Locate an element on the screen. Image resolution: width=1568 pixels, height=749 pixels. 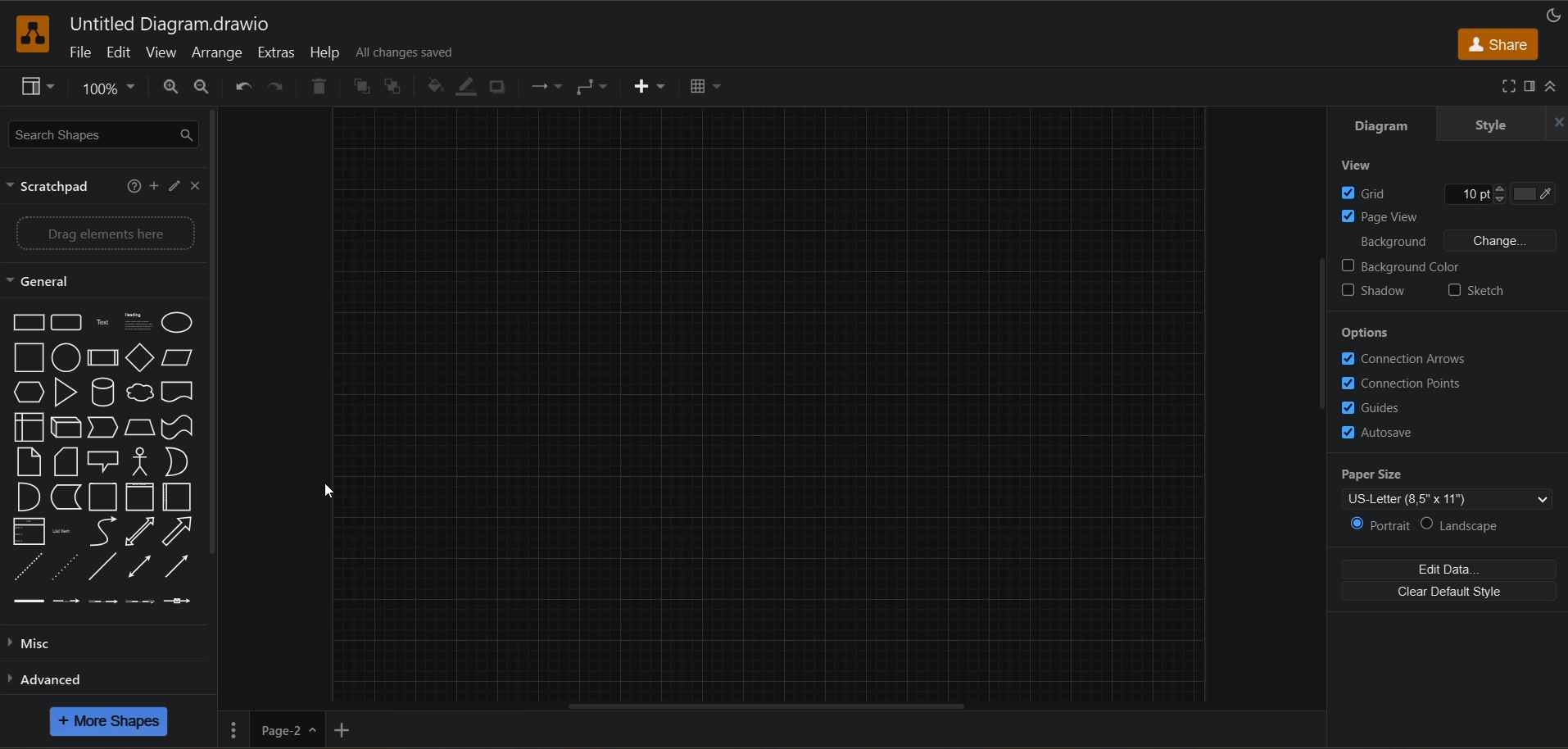
cursor is located at coordinates (329, 491).